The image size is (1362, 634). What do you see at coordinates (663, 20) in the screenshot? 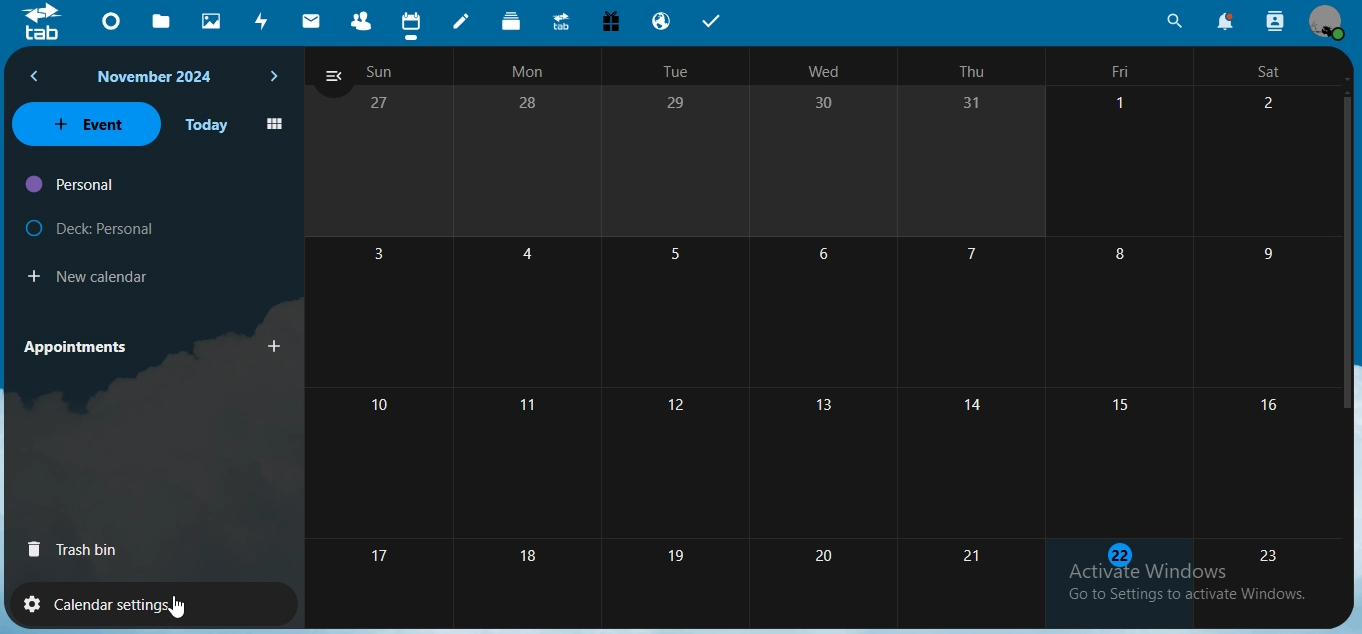
I see `email hosting` at bounding box center [663, 20].